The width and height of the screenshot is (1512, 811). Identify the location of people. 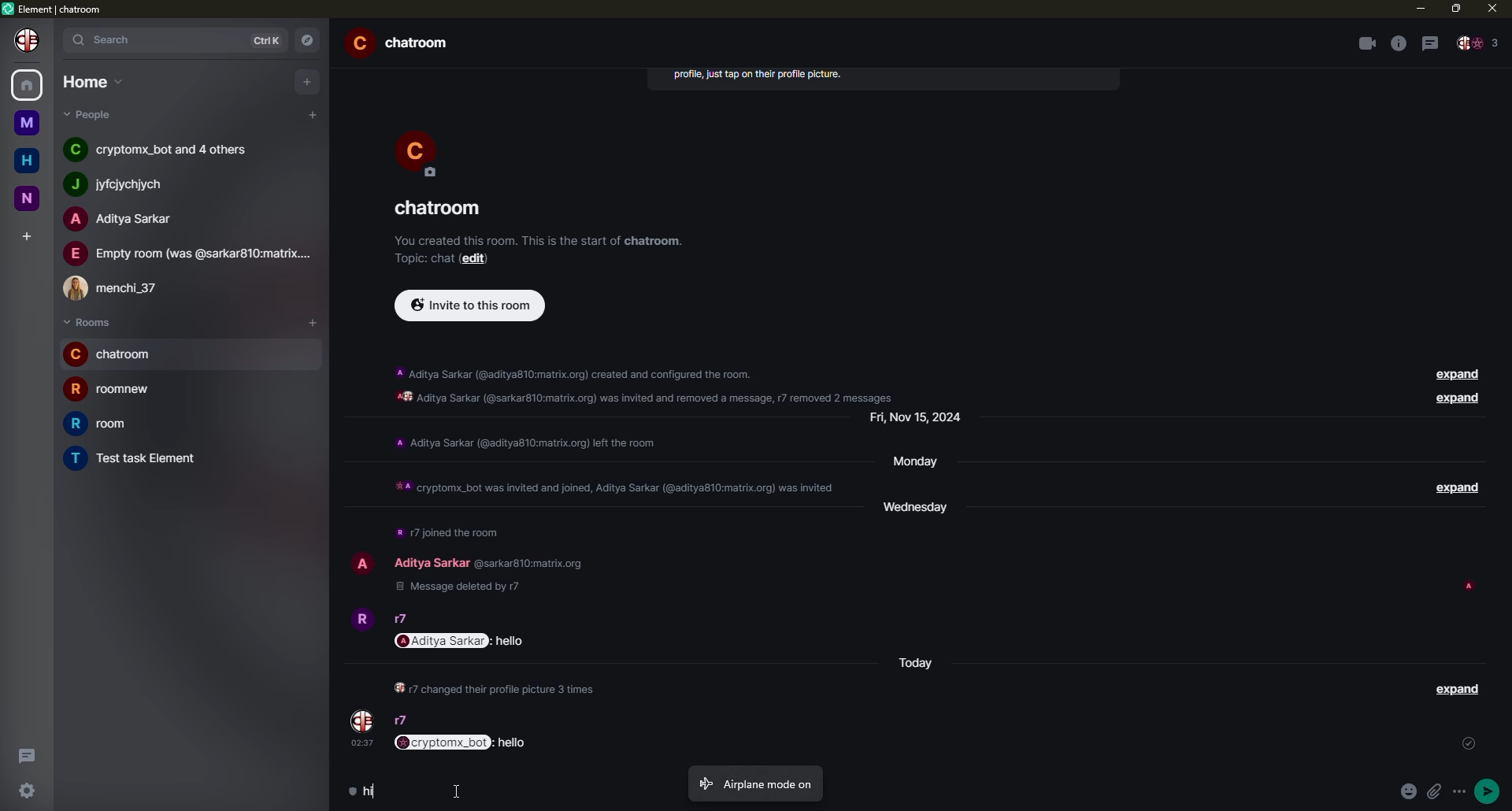
(187, 254).